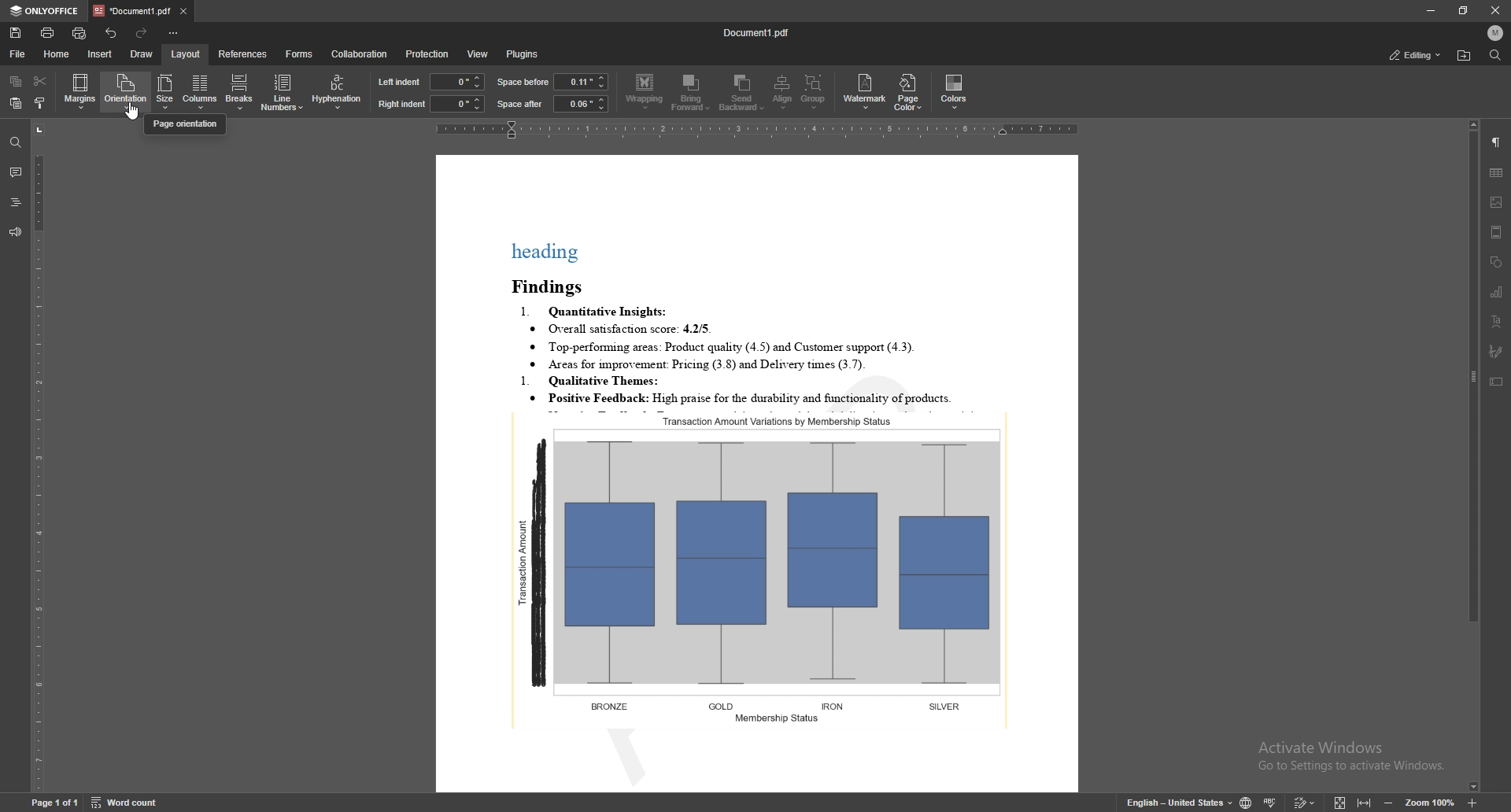  Describe the element at coordinates (140, 32) in the screenshot. I see `redo` at that location.